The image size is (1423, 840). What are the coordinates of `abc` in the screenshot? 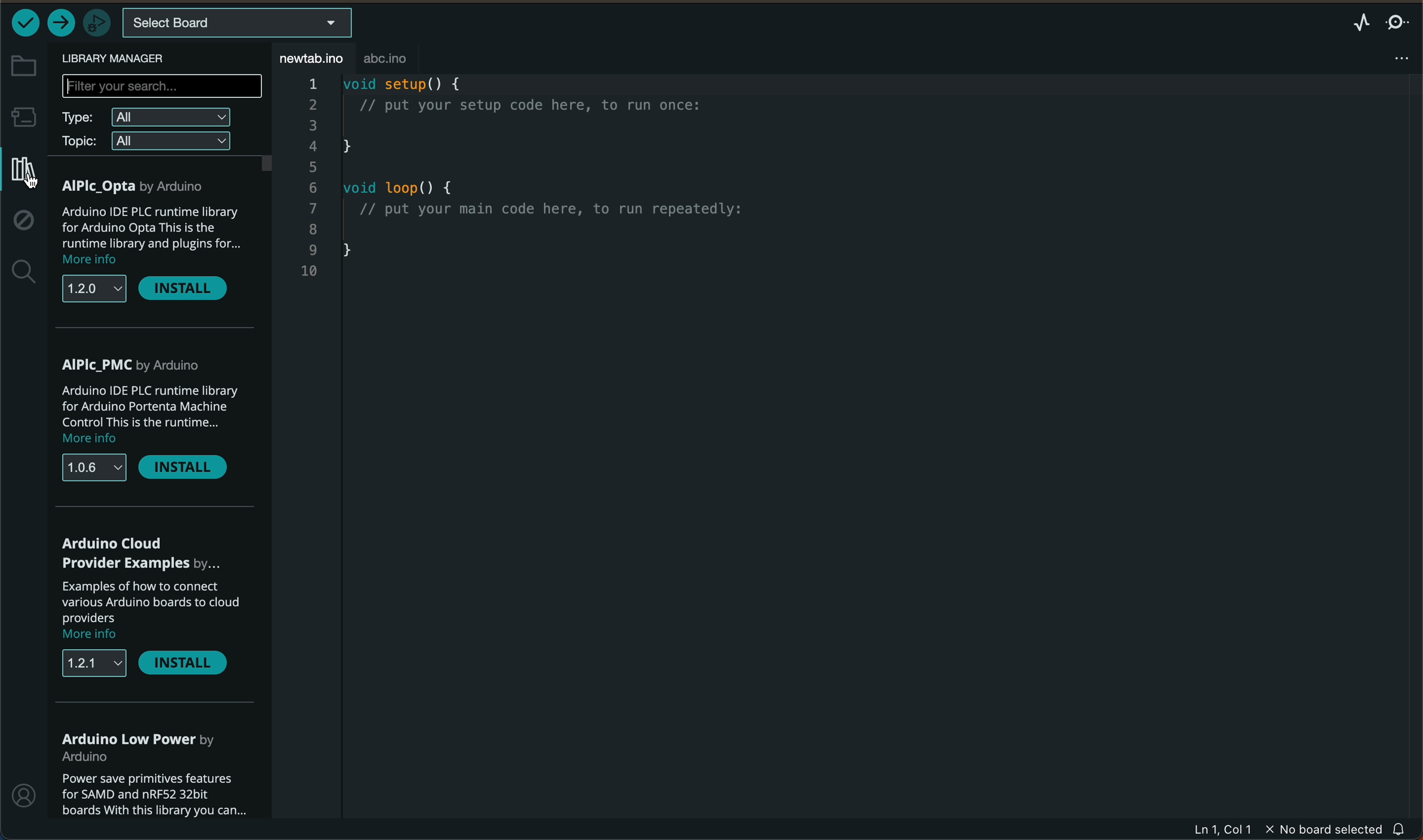 It's located at (400, 59).